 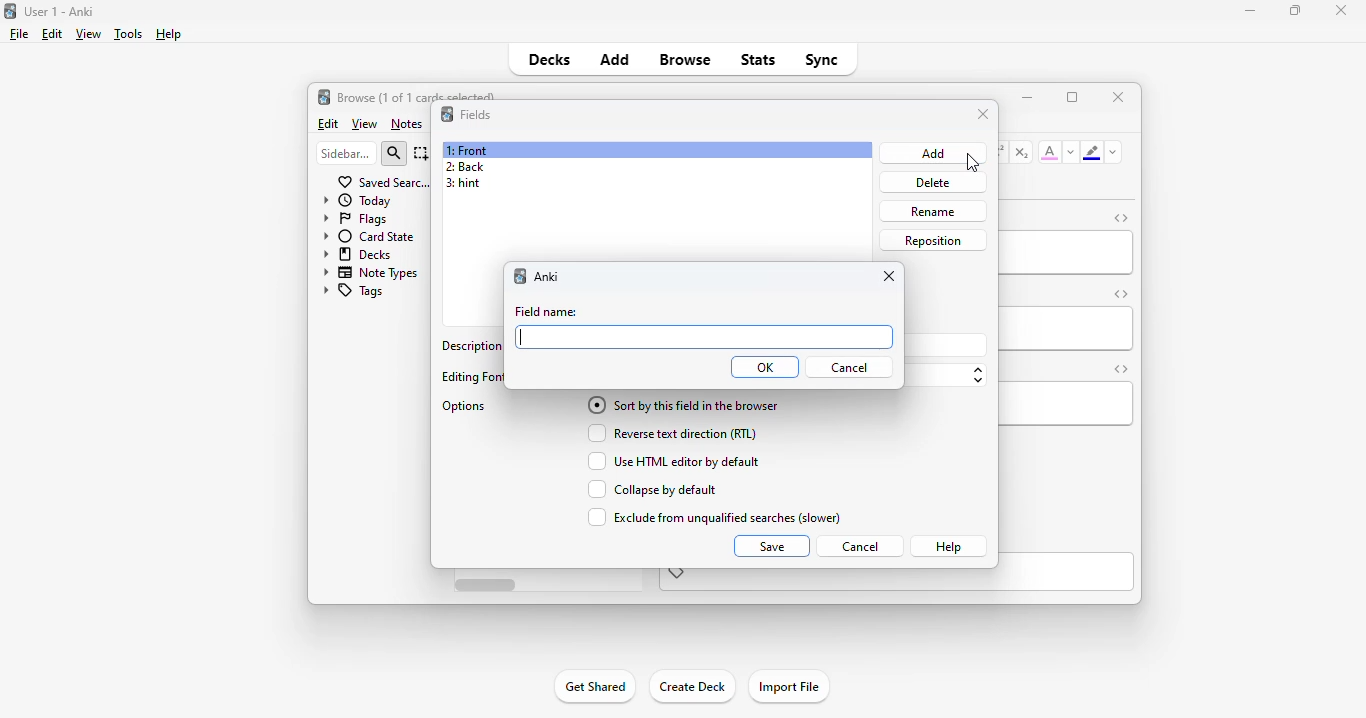 I want to click on card state, so click(x=368, y=236).